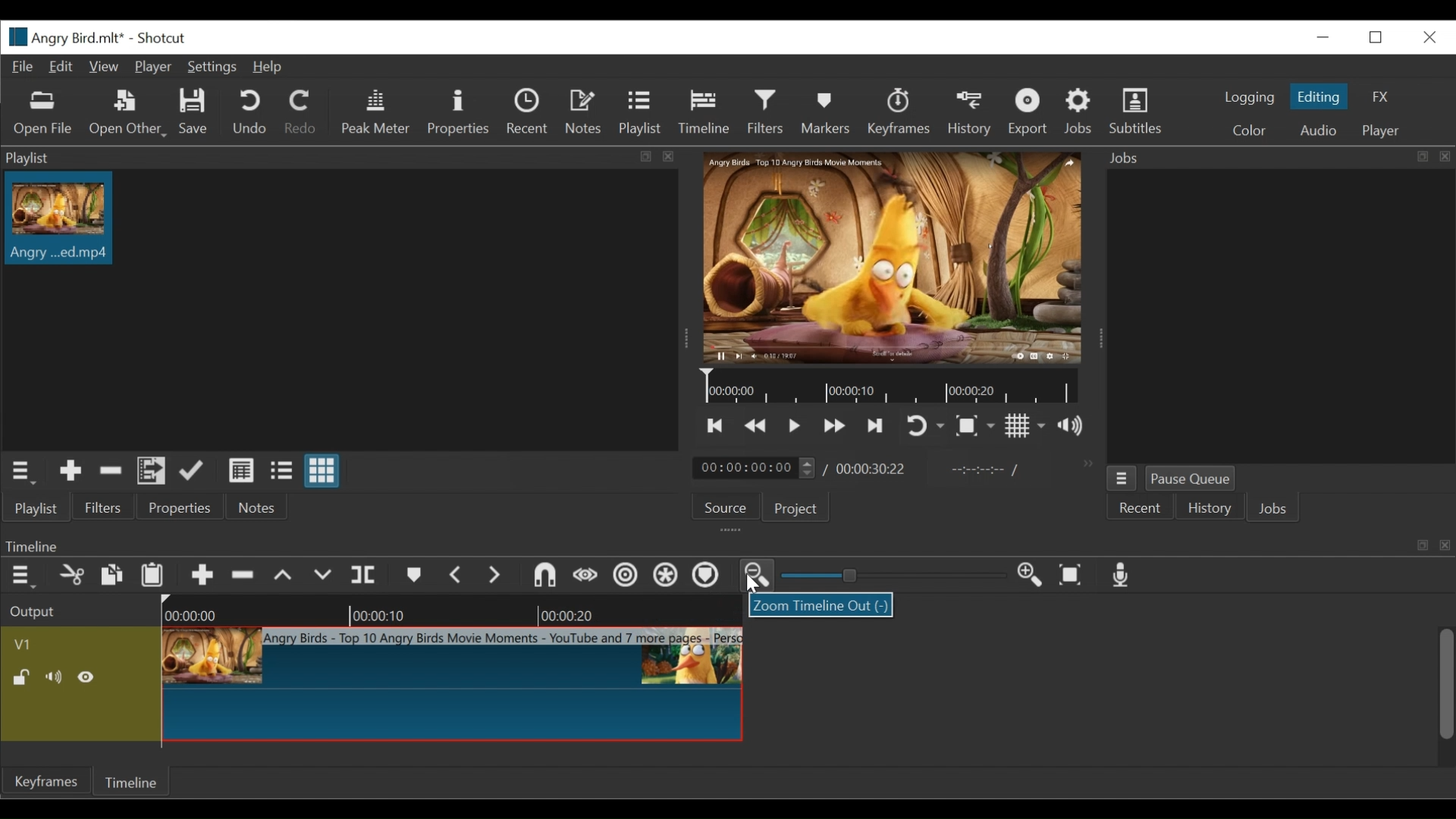 This screenshot has height=819, width=1456. What do you see at coordinates (61, 218) in the screenshot?
I see `Clip thumbnail` at bounding box center [61, 218].